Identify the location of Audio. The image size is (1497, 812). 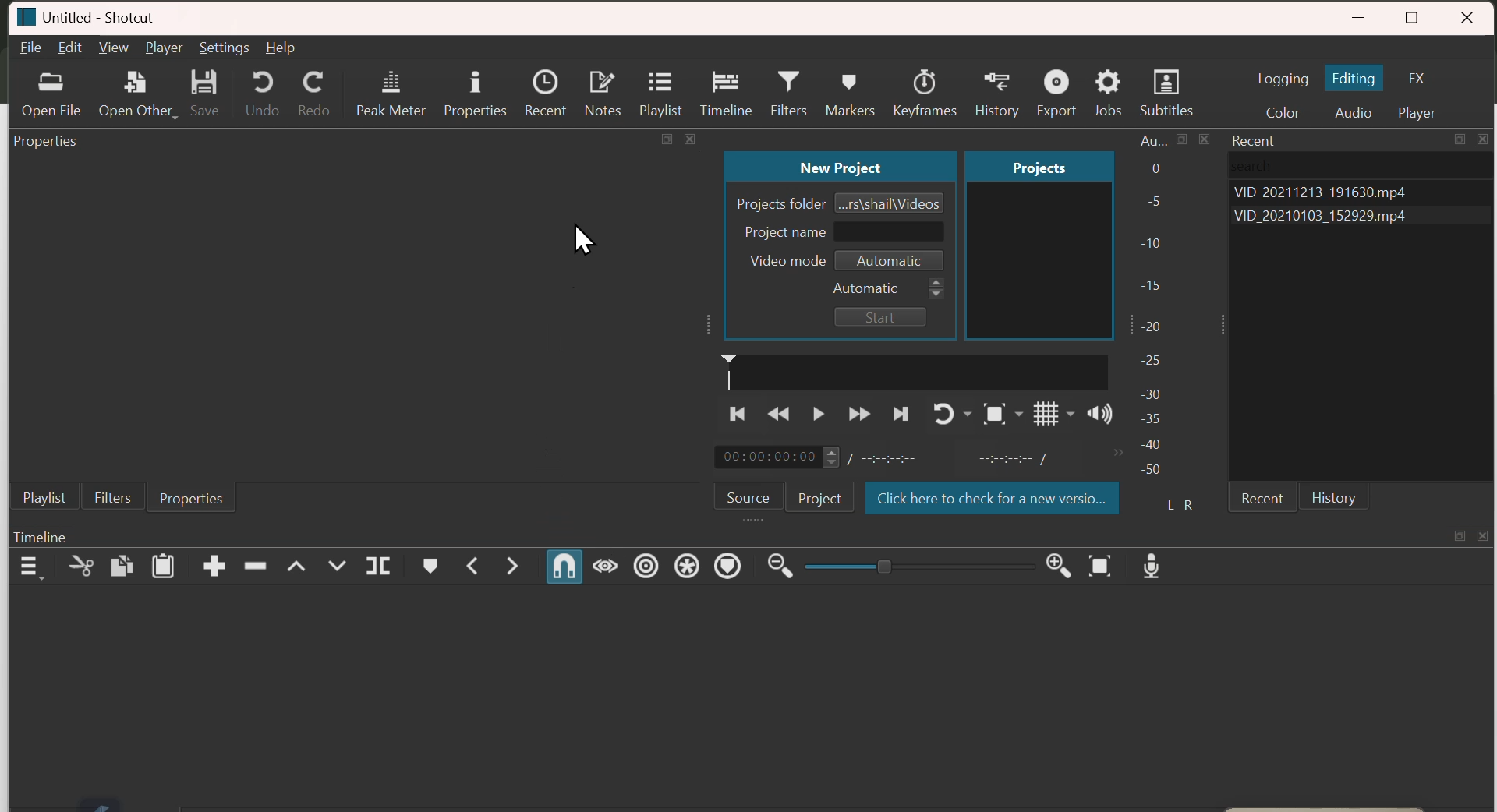
(1154, 140).